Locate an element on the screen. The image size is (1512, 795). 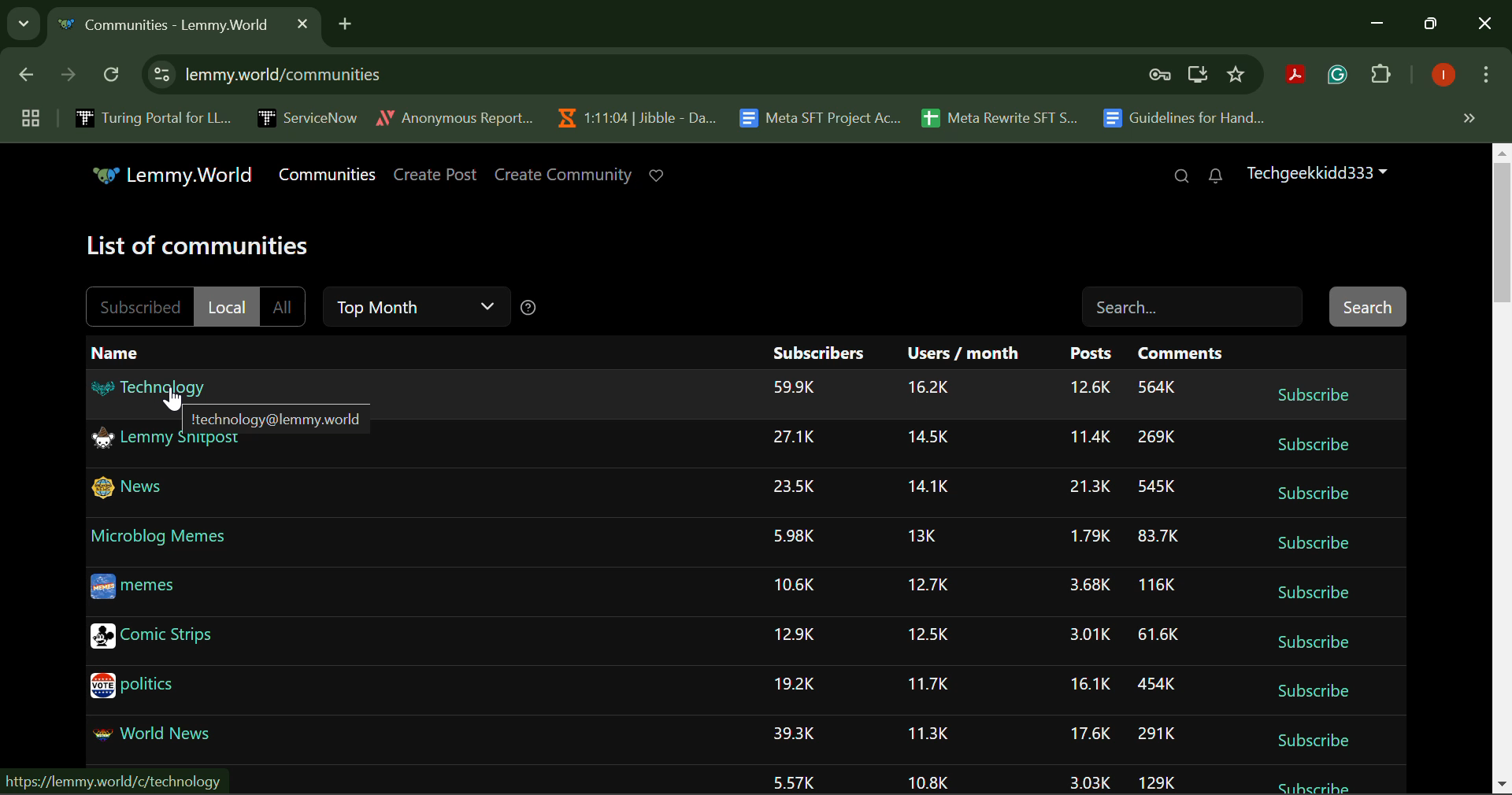
Subscribe Button is located at coordinates (1319, 782).